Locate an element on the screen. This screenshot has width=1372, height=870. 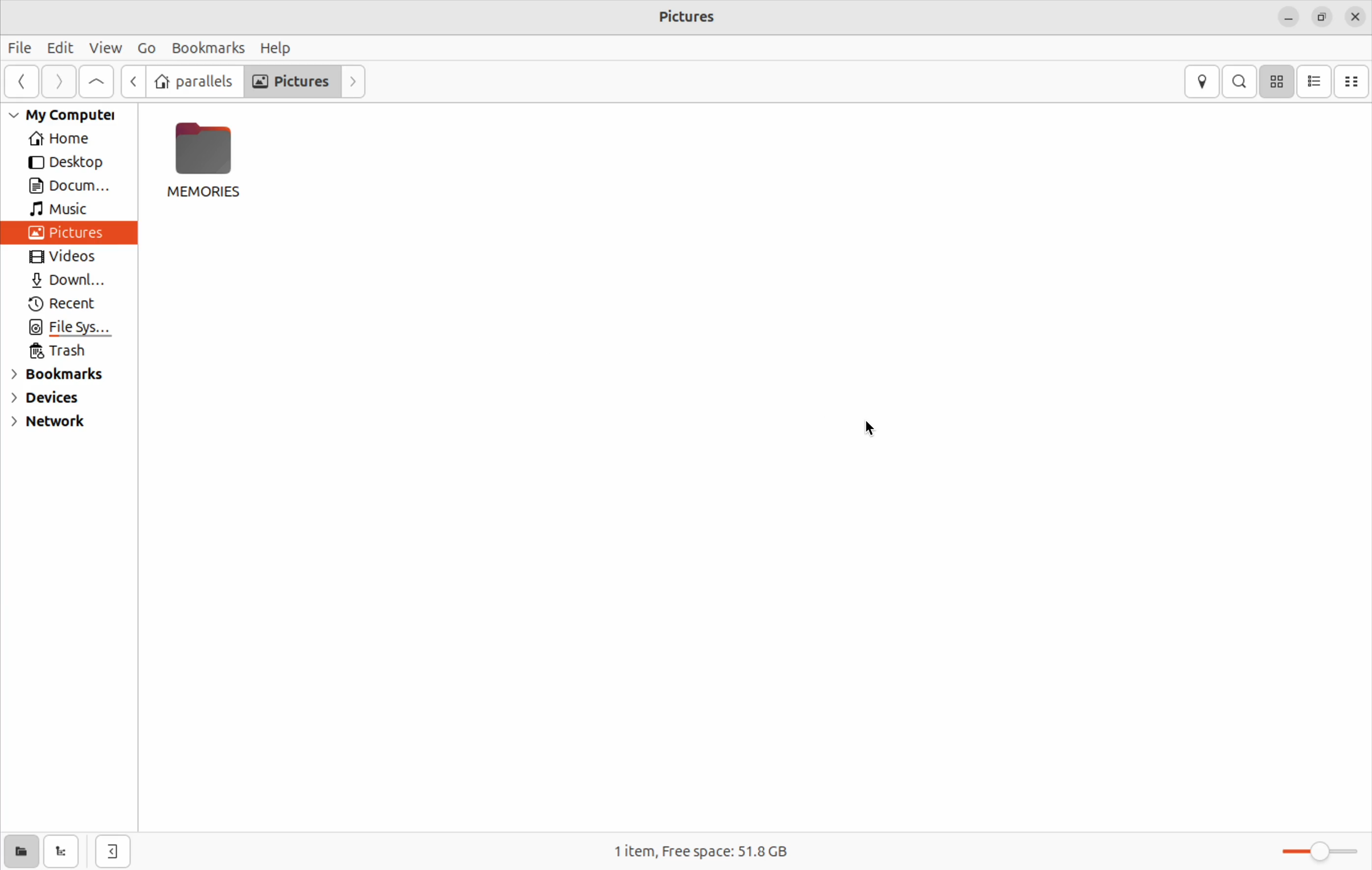
close is located at coordinates (1358, 14).